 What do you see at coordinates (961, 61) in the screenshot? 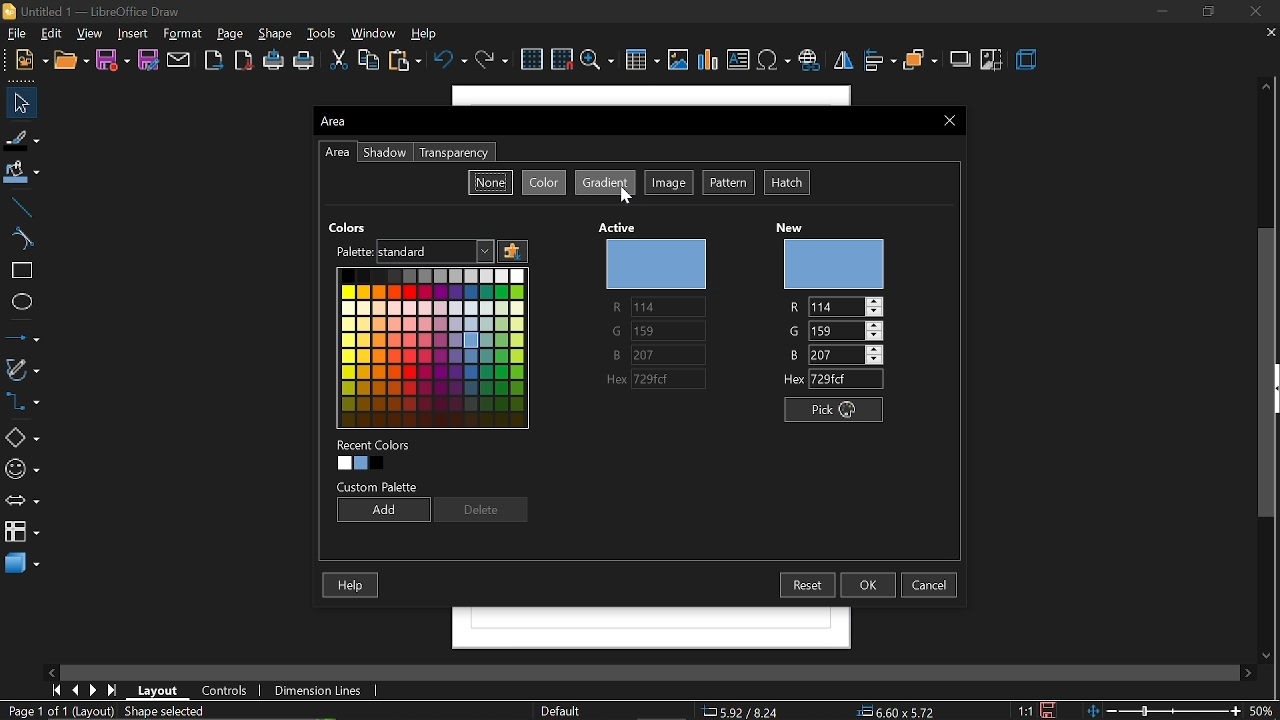
I see `shadow` at bounding box center [961, 61].